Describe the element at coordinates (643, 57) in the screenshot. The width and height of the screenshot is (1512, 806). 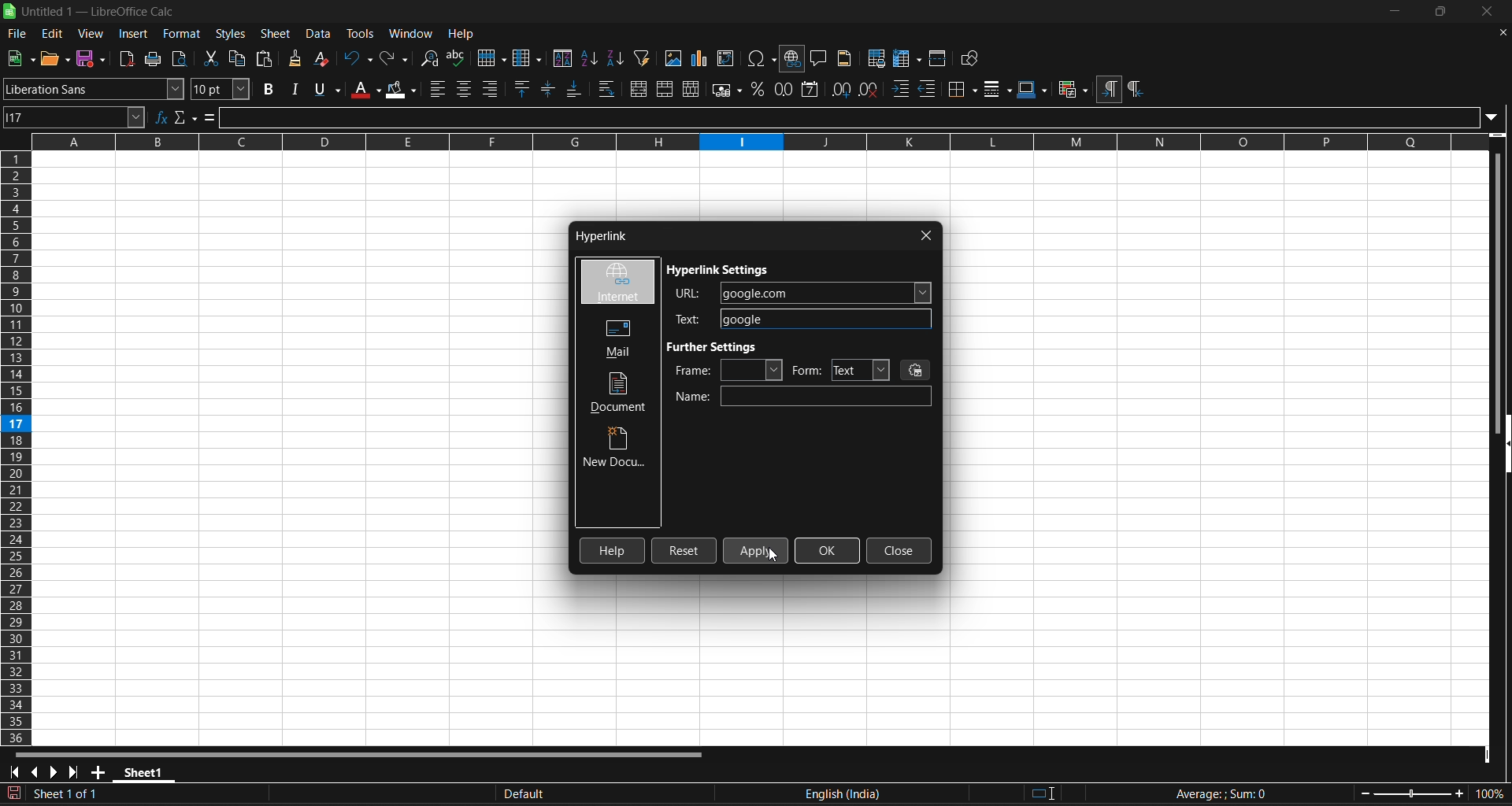
I see `auto filter` at that location.